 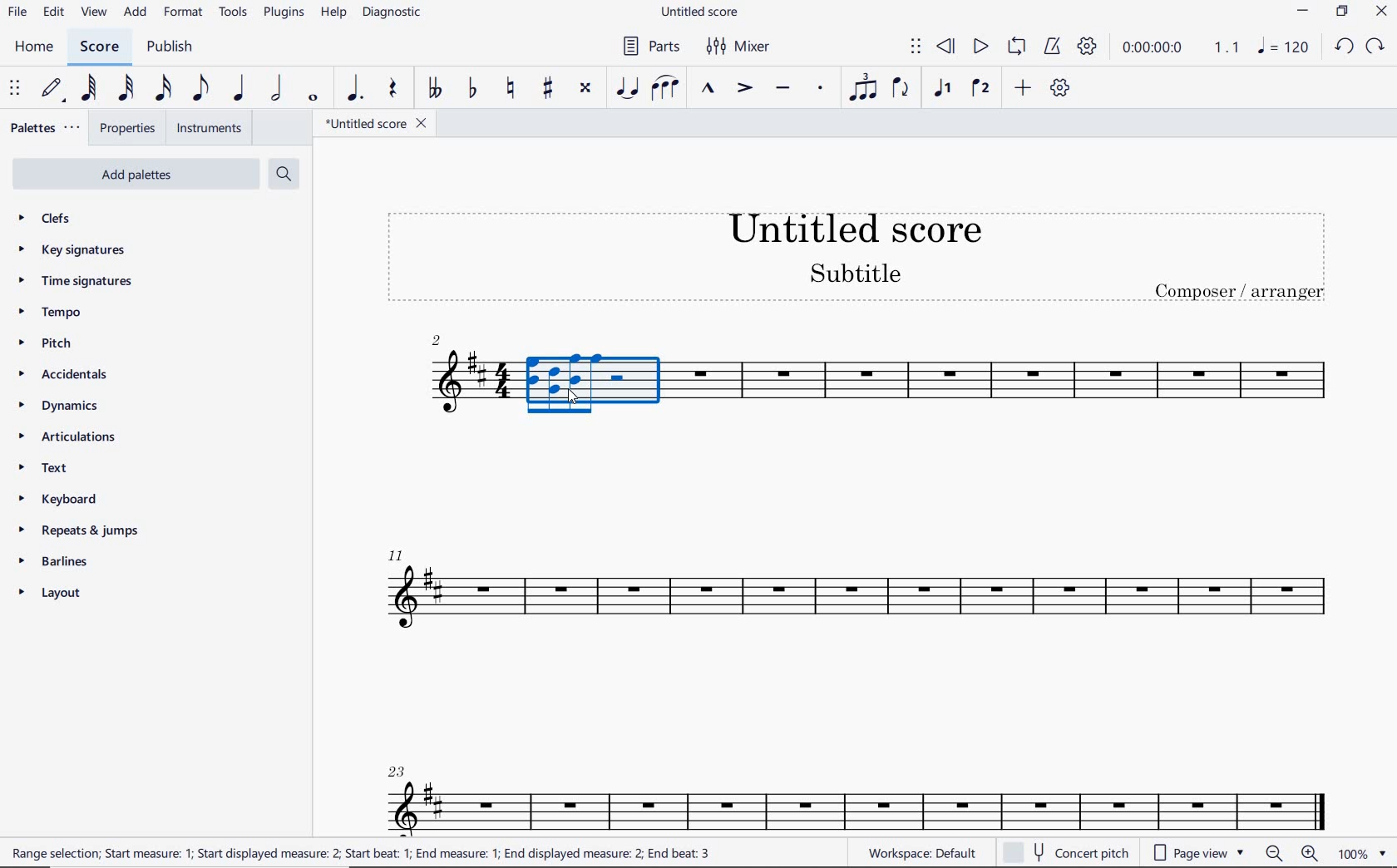 I want to click on zoom factor, so click(x=1362, y=854).